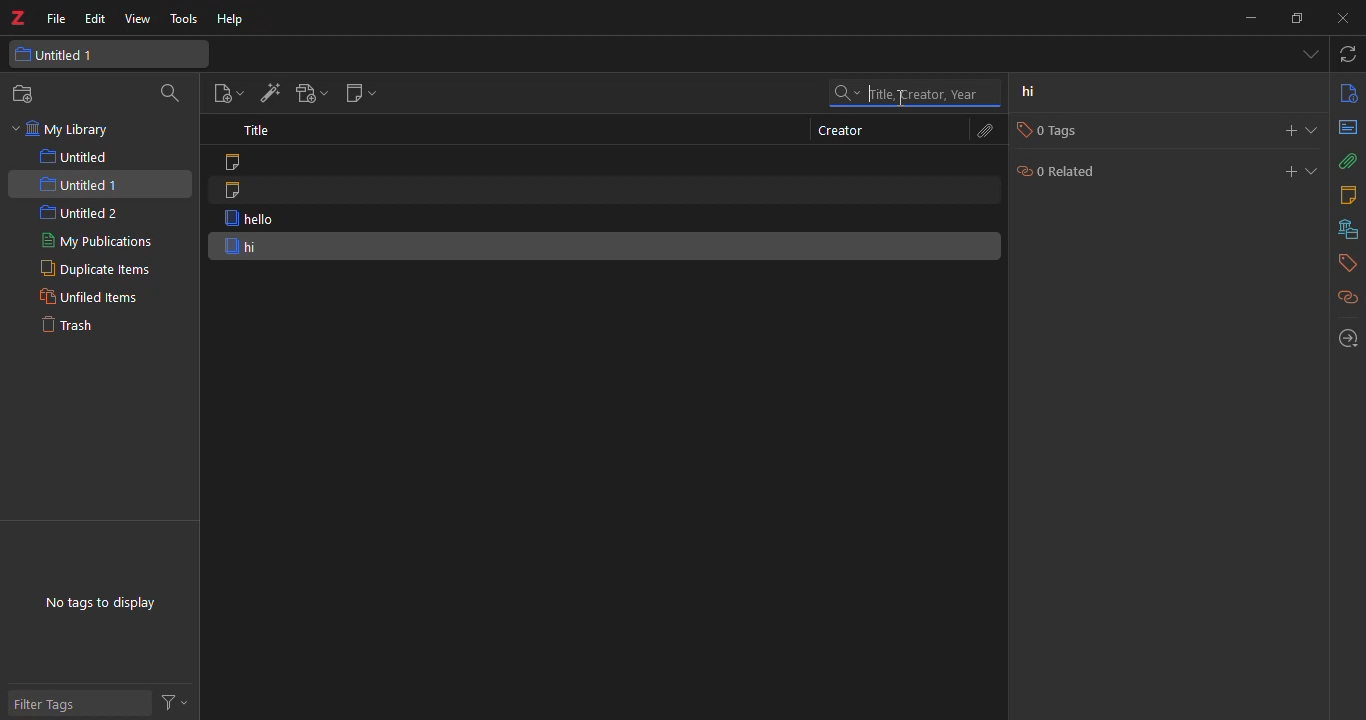 Image resolution: width=1366 pixels, height=720 pixels. Describe the element at coordinates (914, 93) in the screenshot. I see `title, creator, year` at that location.